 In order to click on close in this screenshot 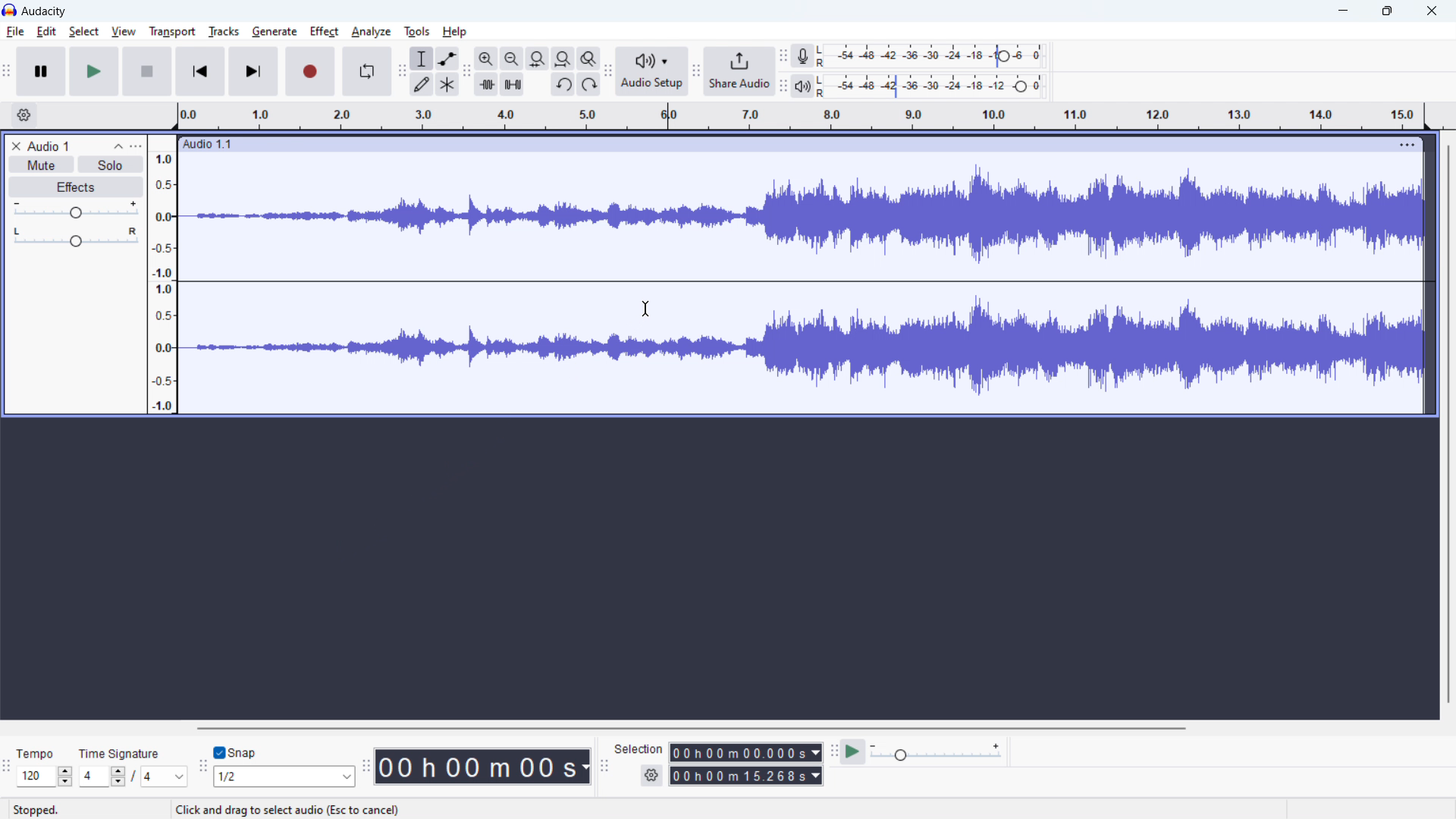, I will do `click(1432, 11)`.